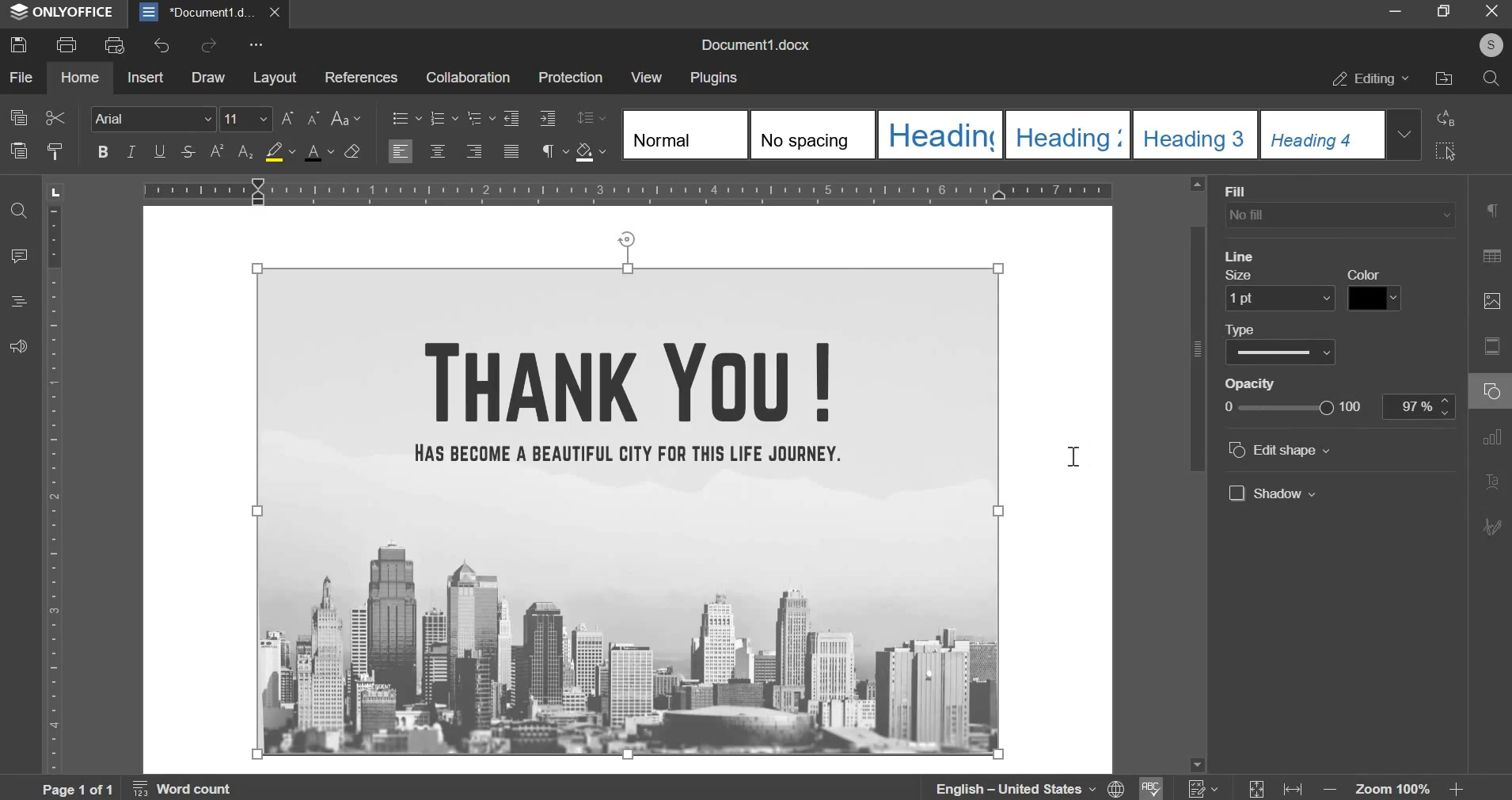 Image resolution: width=1512 pixels, height=800 pixels. Describe the element at coordinates (1242, 257) in the screenshot. I see `line` at that location.